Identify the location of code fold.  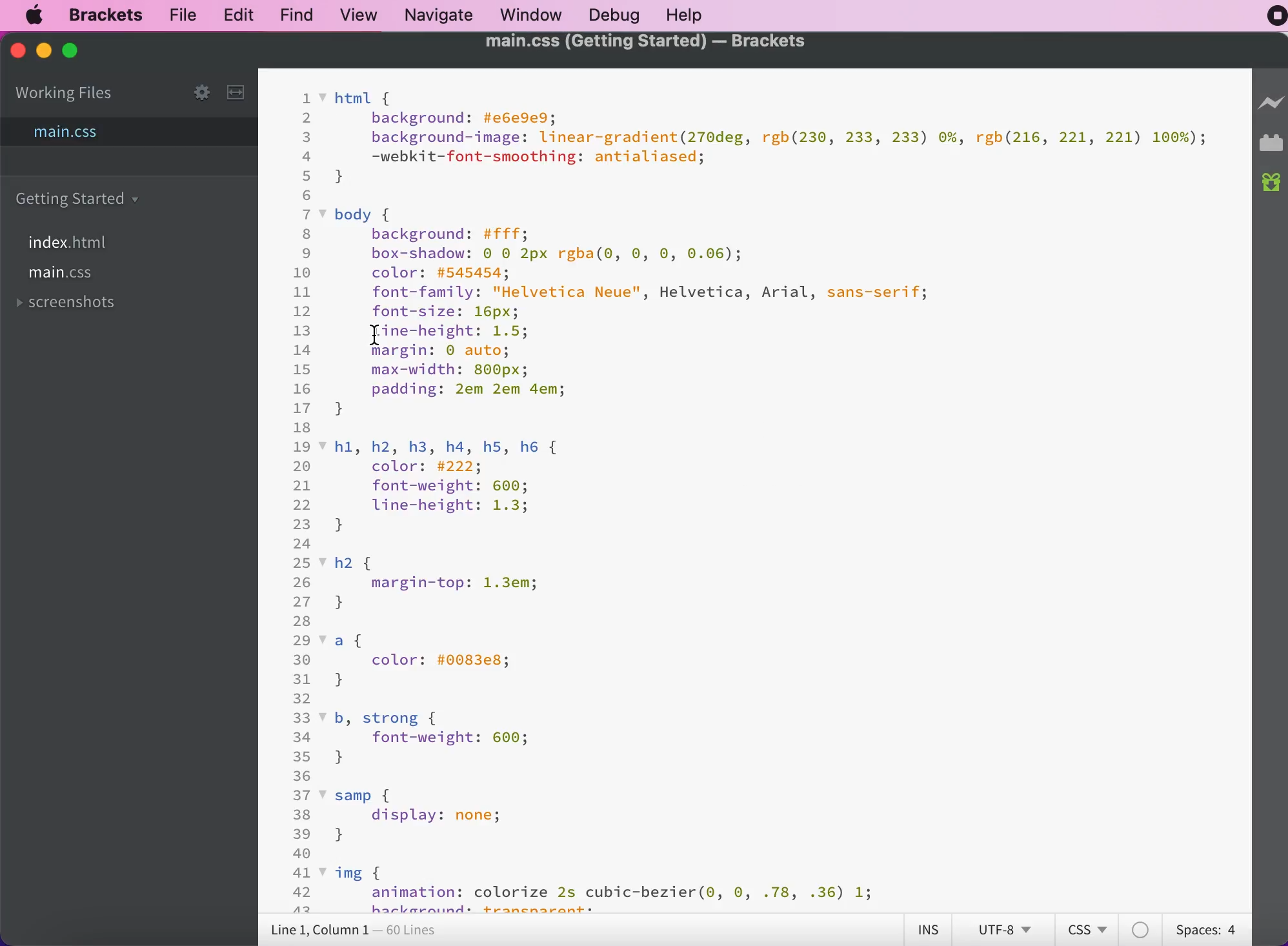
(322, 794).